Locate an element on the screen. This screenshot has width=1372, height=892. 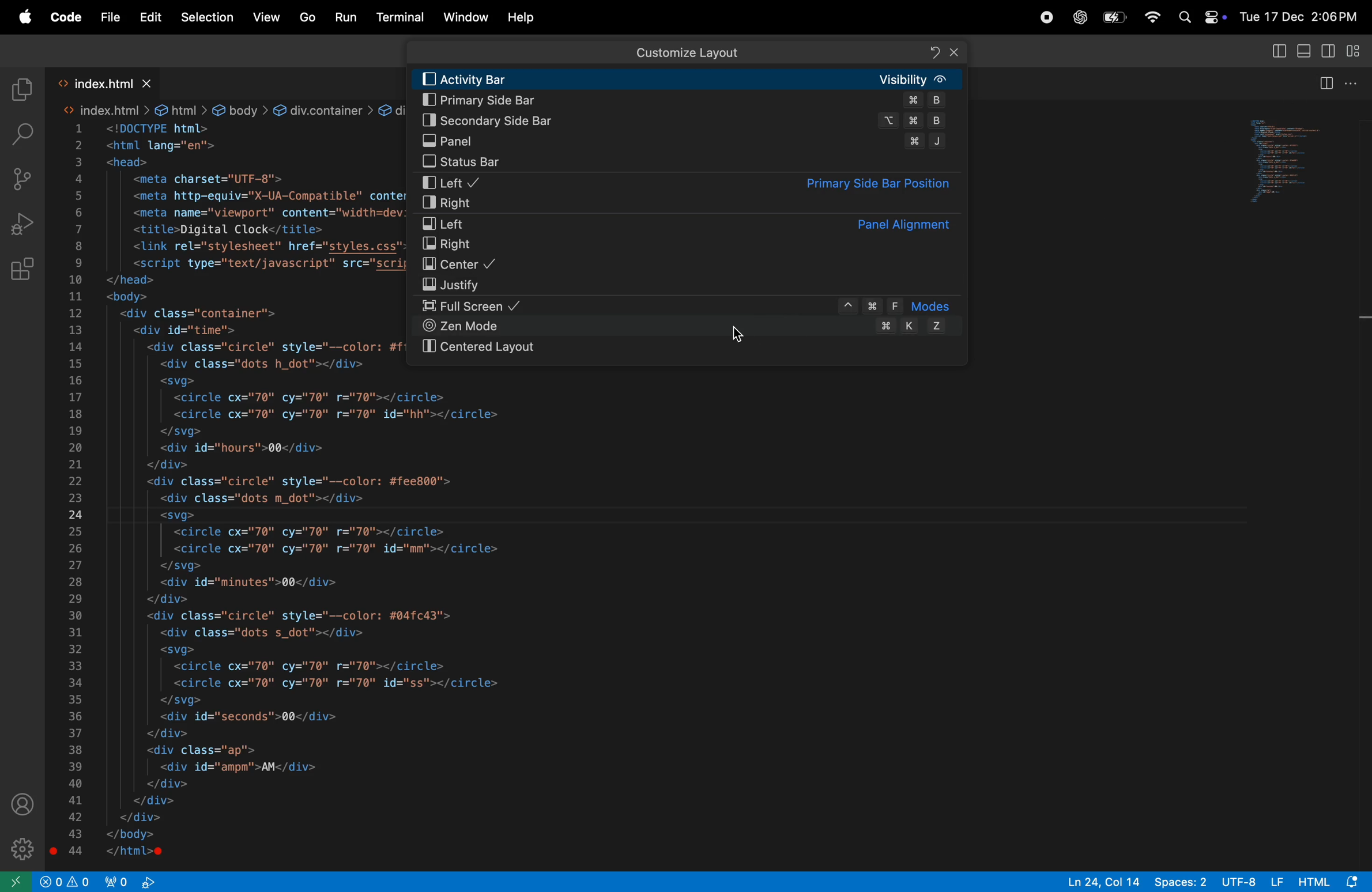
utf-8 lf is located at coordinates (1249, 882).